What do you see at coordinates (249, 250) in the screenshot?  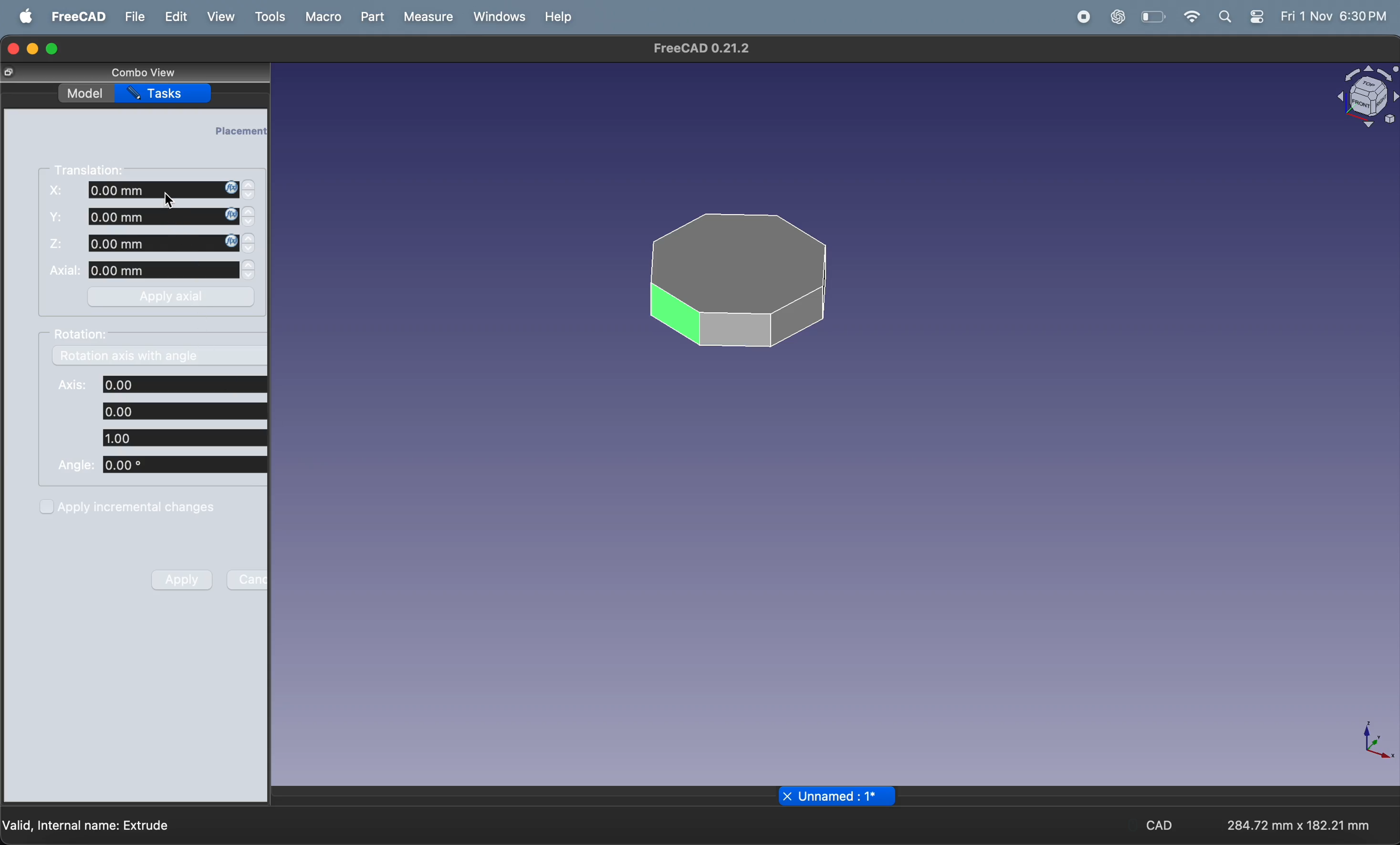 I see `down` at bounding box center [249, 250].